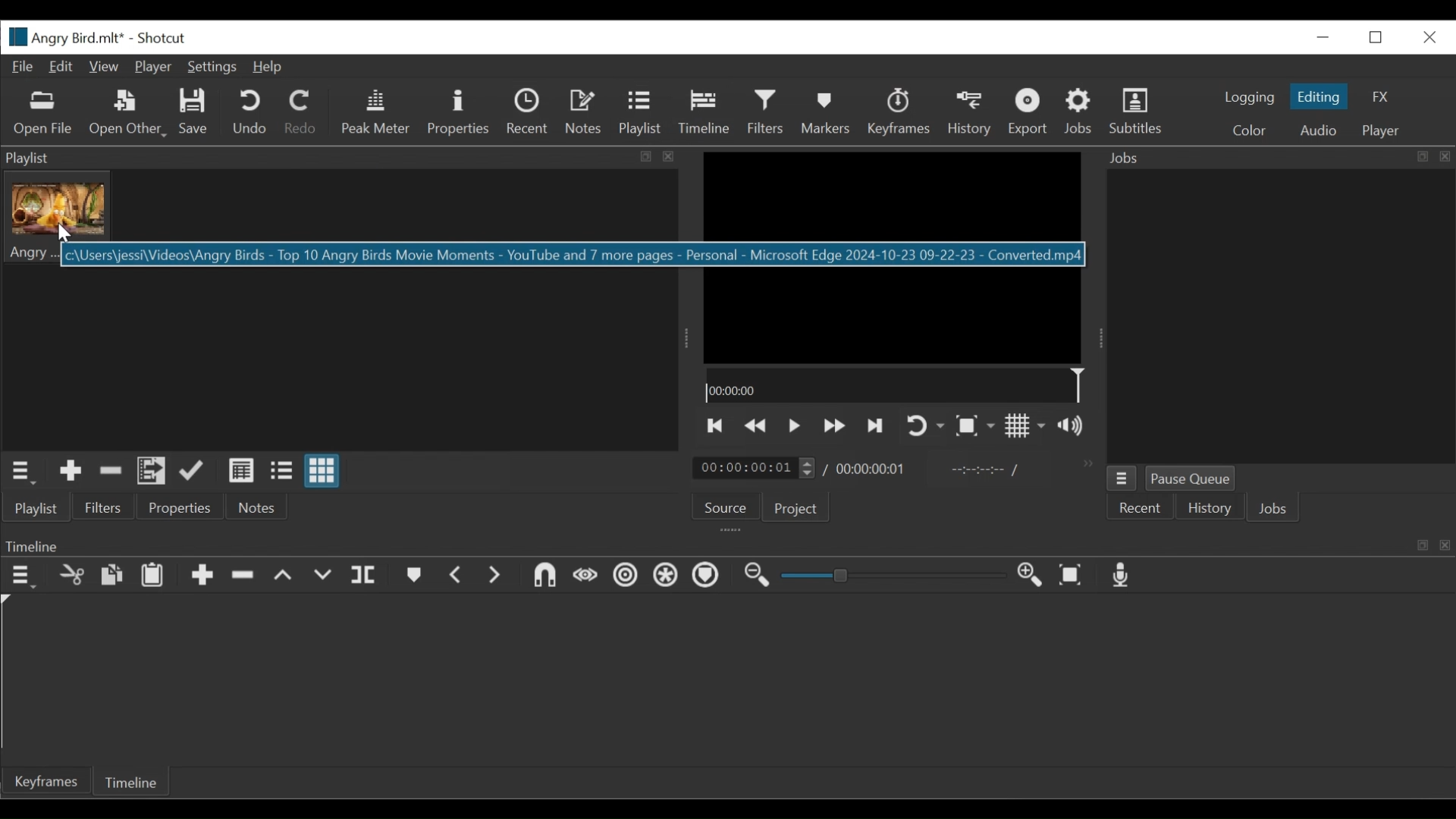 The width and height of the screenshot is (1456, 819). What do you see at coordinates (151, 472) in the screenshot?
I see `Add files to the playlist` at bounding box center [151, 472].